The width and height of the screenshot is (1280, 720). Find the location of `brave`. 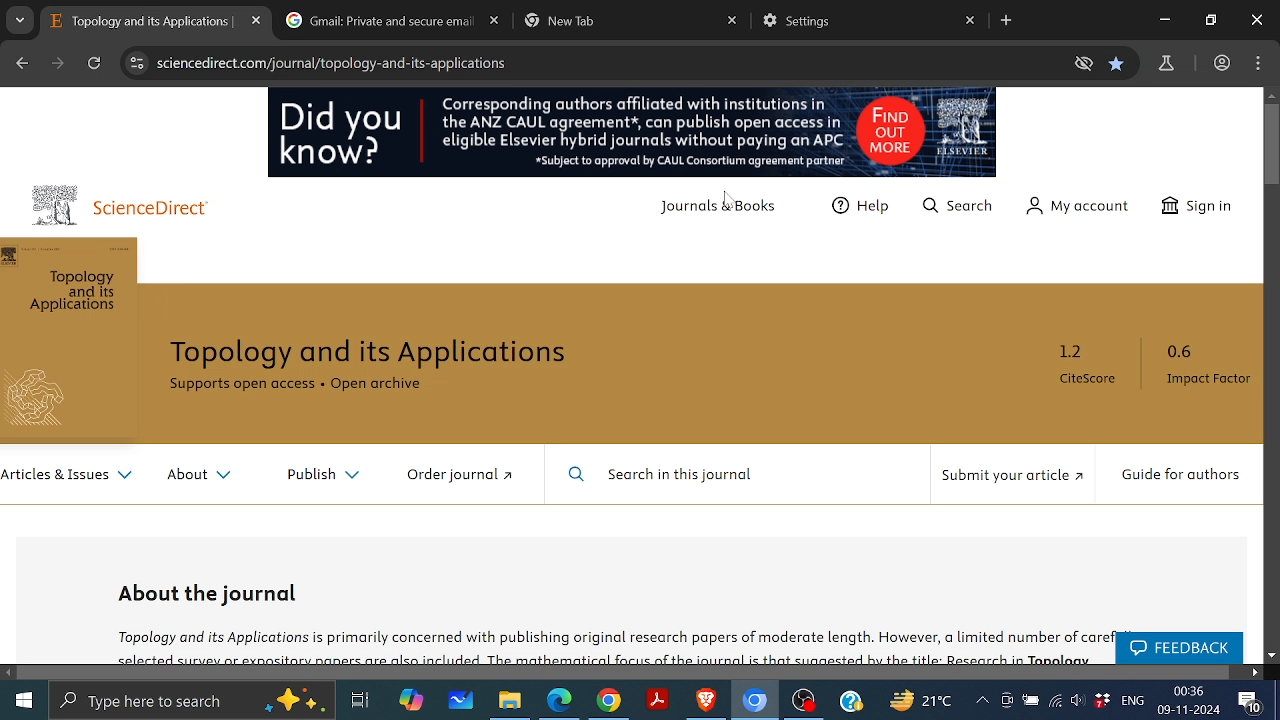

brave is located at coordinates (706, 702).